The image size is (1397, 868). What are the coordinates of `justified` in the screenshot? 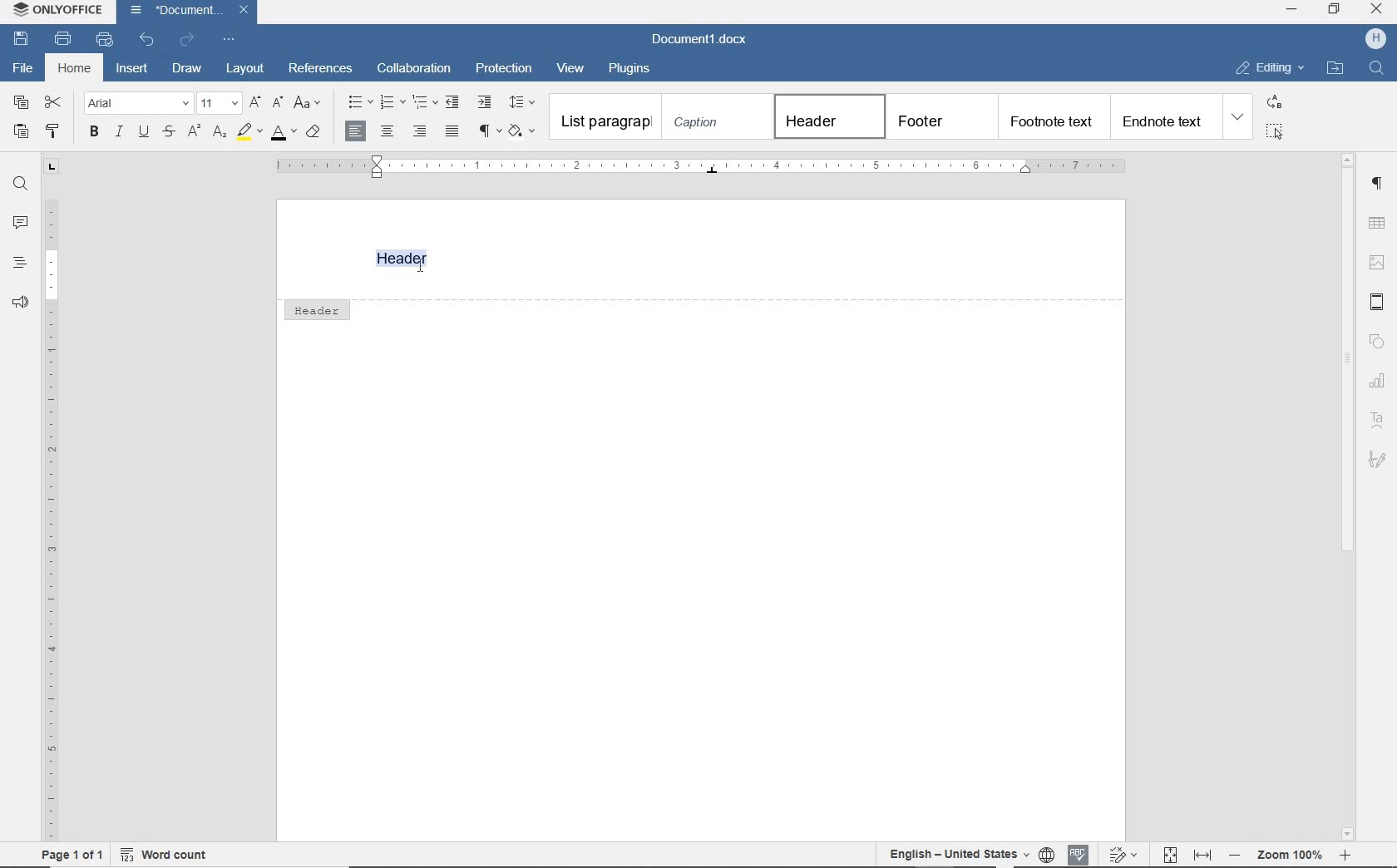 It's located at (453, 132).